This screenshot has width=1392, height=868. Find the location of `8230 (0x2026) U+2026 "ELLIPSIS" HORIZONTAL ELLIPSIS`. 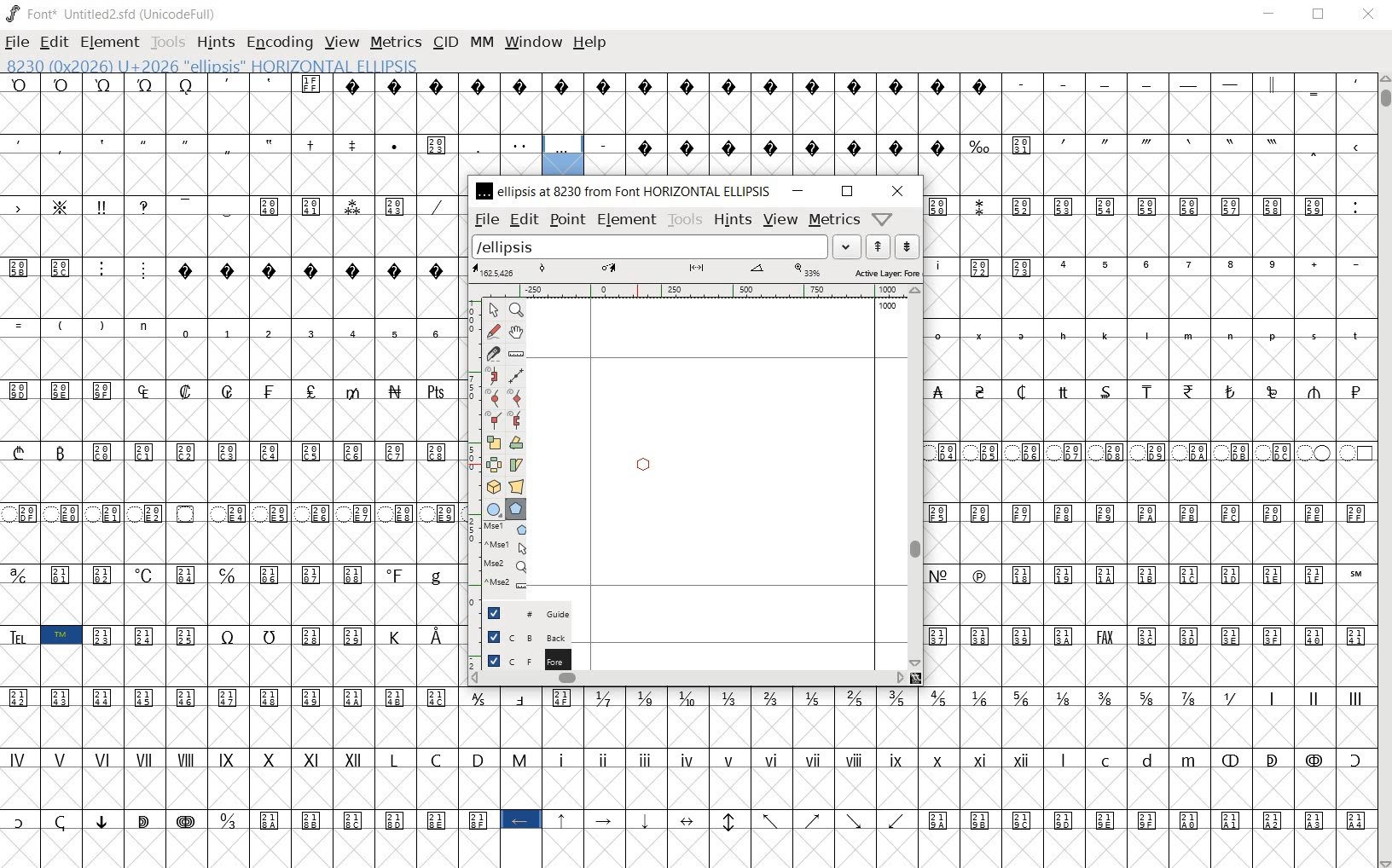

8230 (0x2026) U+2026 "ELLIPSIS" HORIZONTAL ELLIPSIS is located at coordinates (270, 65).